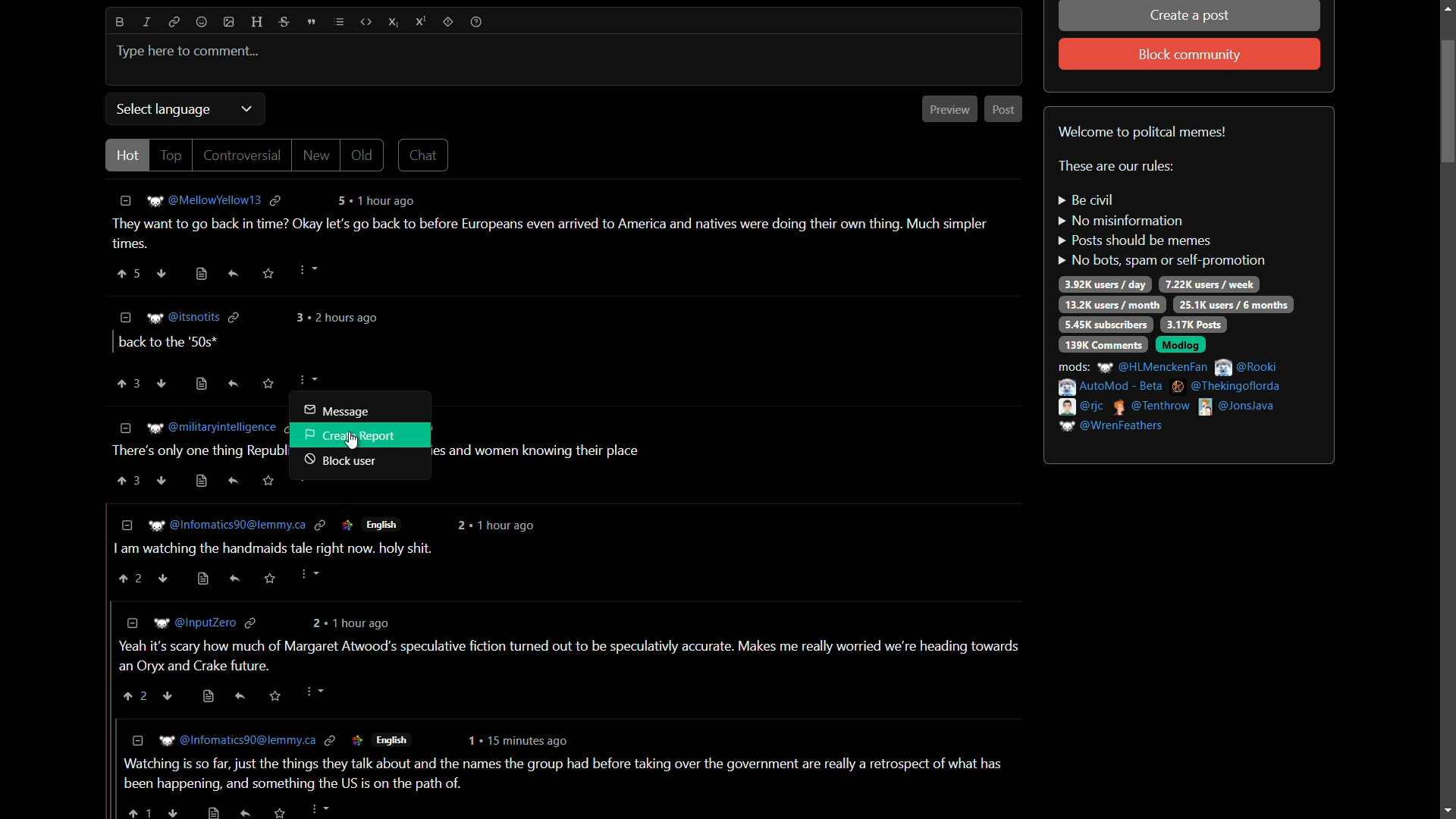  I want to click on type here to comment, so click(188, 52).